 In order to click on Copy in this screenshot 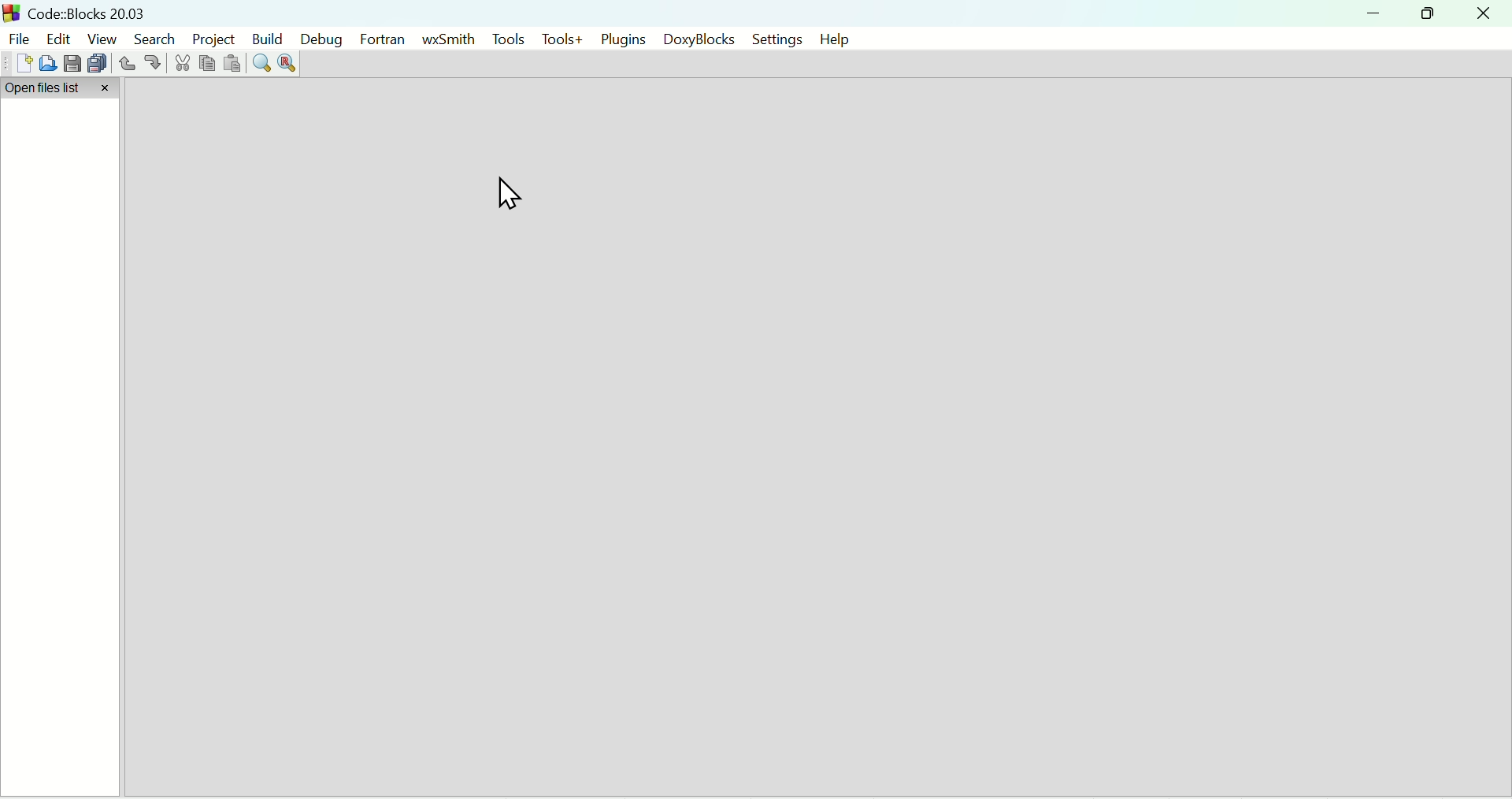, I will do `click(204, 65)`.